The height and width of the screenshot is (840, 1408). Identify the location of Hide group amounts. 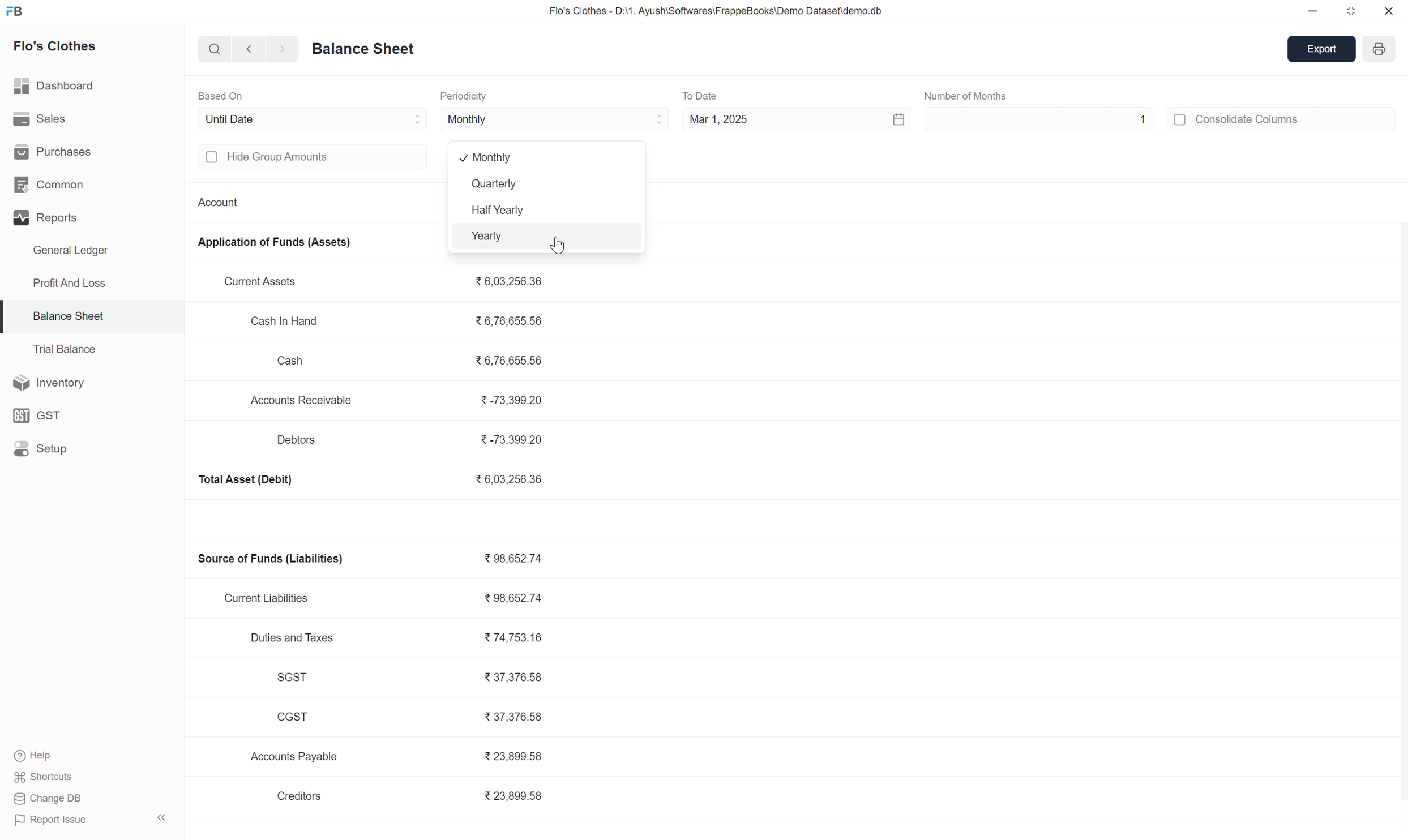
(282, 158).